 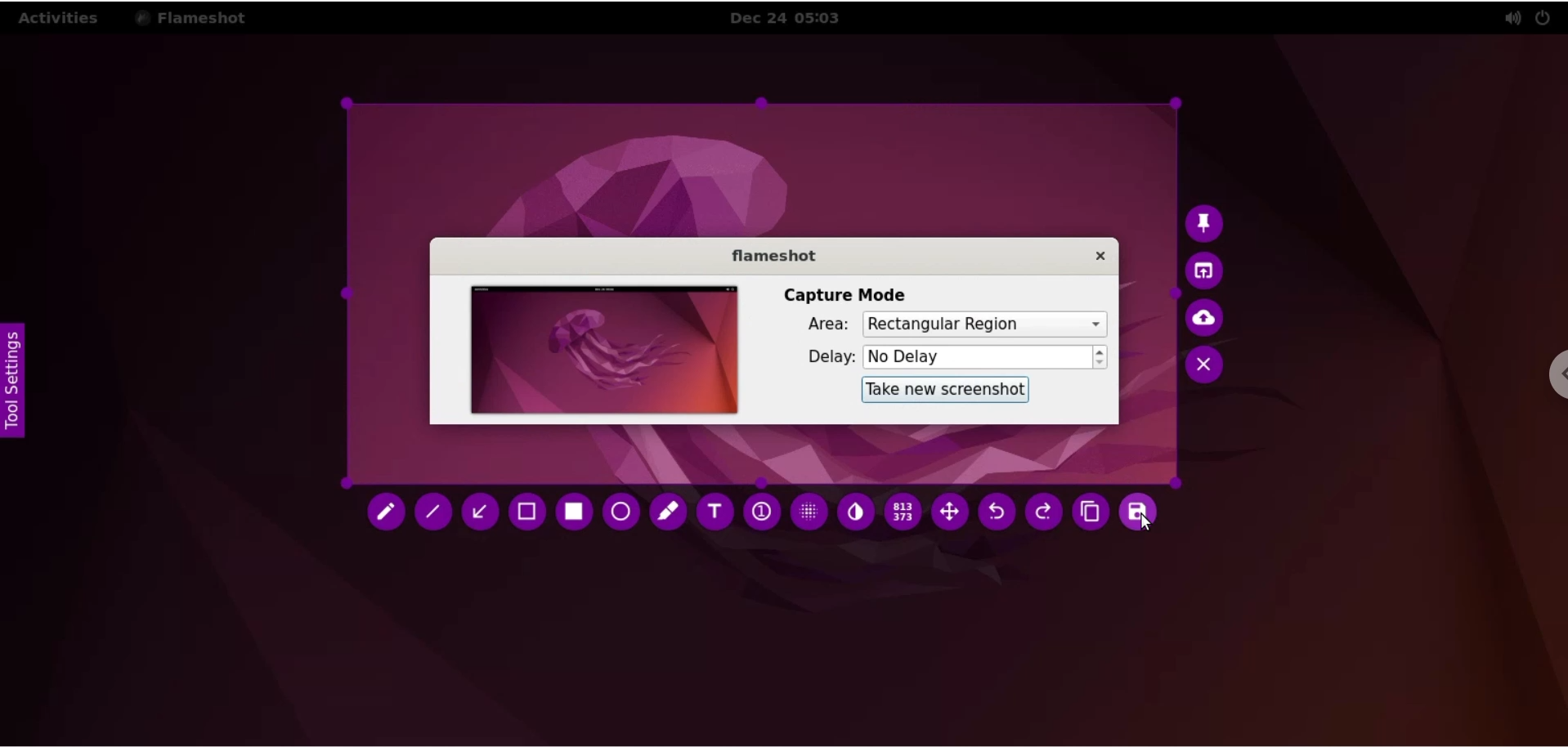 What do you see at coordinates (1211, 273) in the screenshot?
I see `choose app to open` at bounding box center [1211, 273].